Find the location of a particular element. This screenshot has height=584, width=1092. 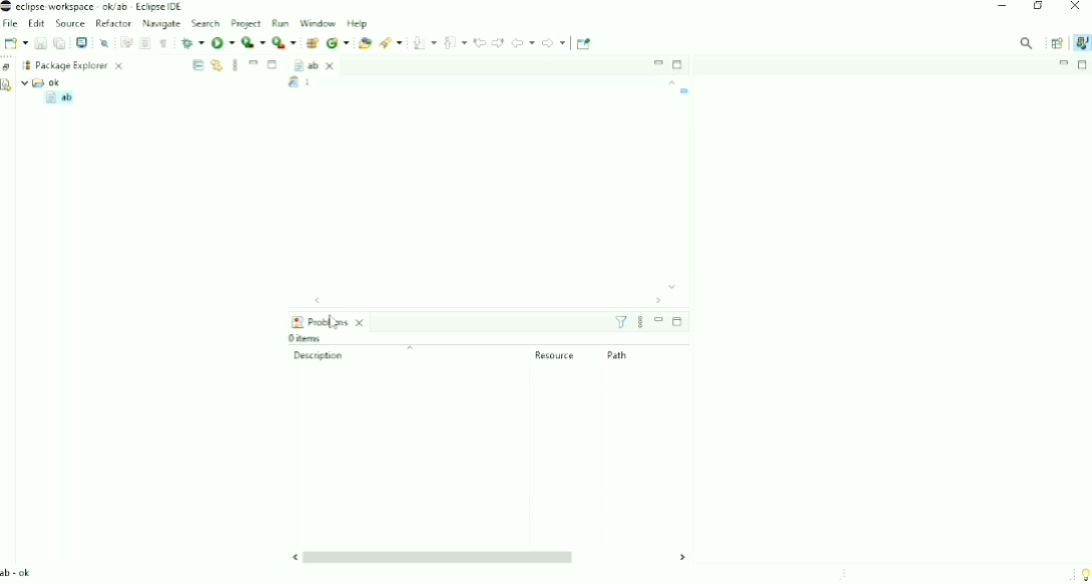

Help is located at coordinates (358, 24).